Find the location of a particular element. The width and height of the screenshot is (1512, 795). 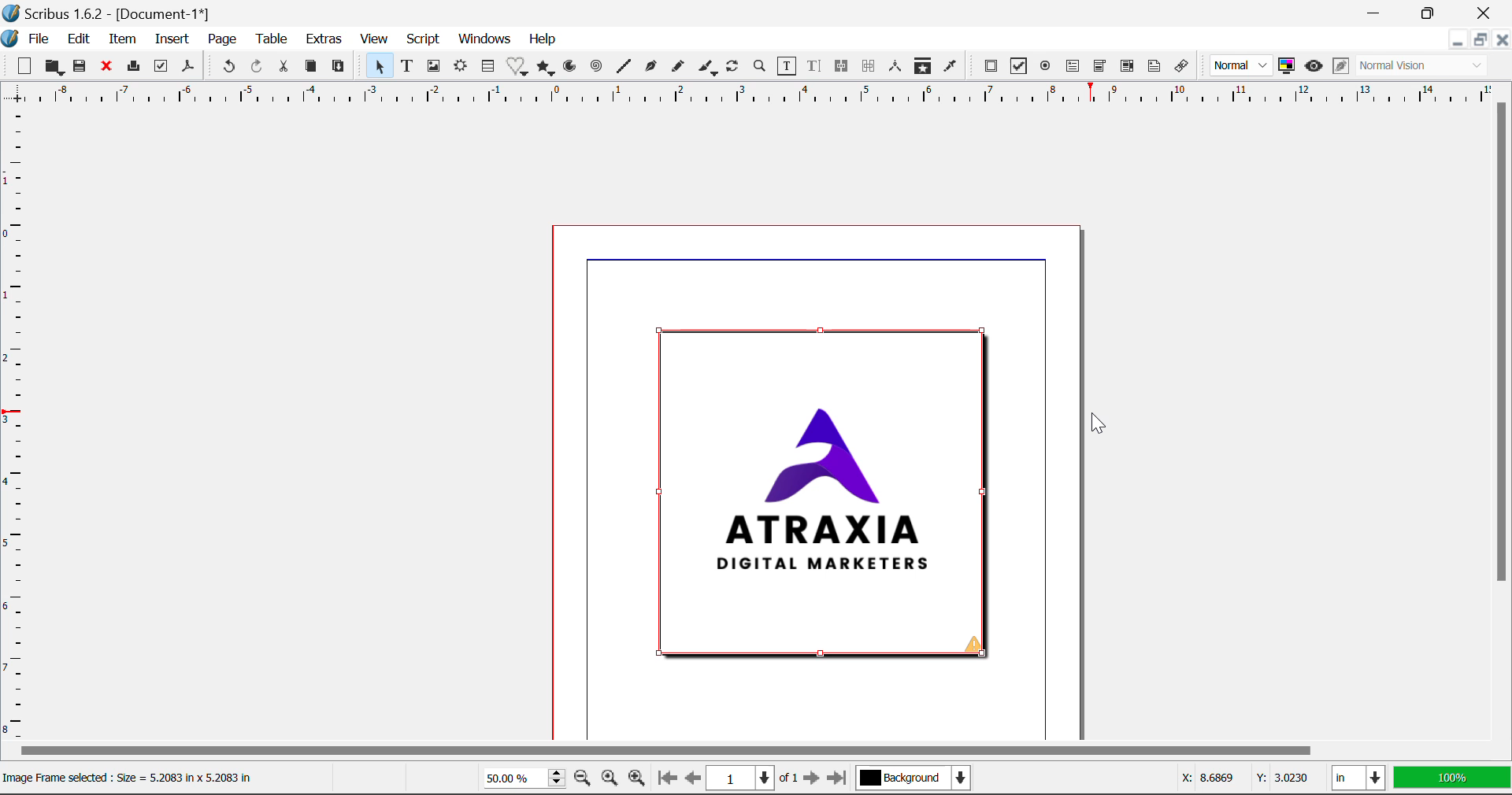

ATRAXIA DIGITAL MARKETERS is located at coordinates (818, 494).